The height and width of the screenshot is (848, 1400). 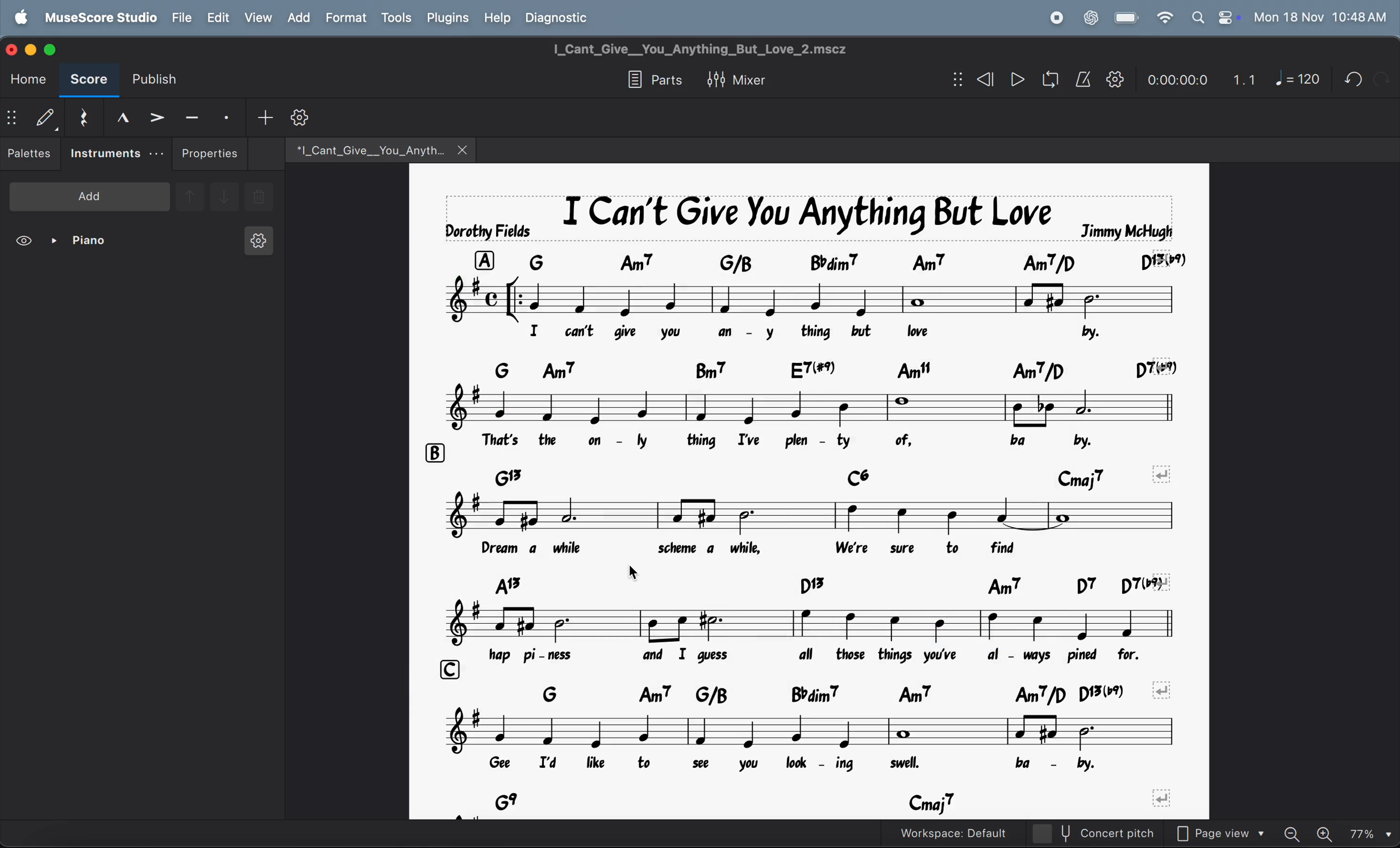 What do you see at coordinates (89, 81) in the screenshot?
I see `score ` at bounding box center [89, 81].